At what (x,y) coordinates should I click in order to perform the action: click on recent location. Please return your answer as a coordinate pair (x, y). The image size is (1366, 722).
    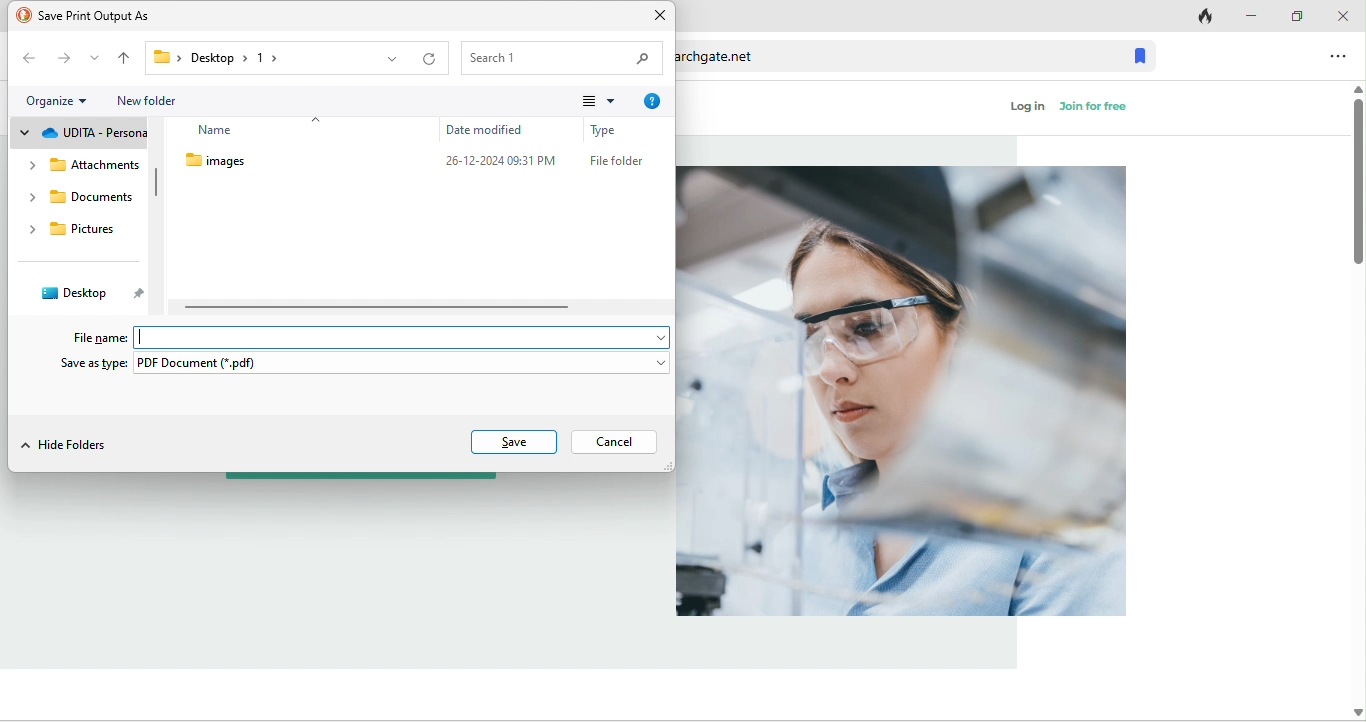
    Looking at the image, I should click on (93, 57).